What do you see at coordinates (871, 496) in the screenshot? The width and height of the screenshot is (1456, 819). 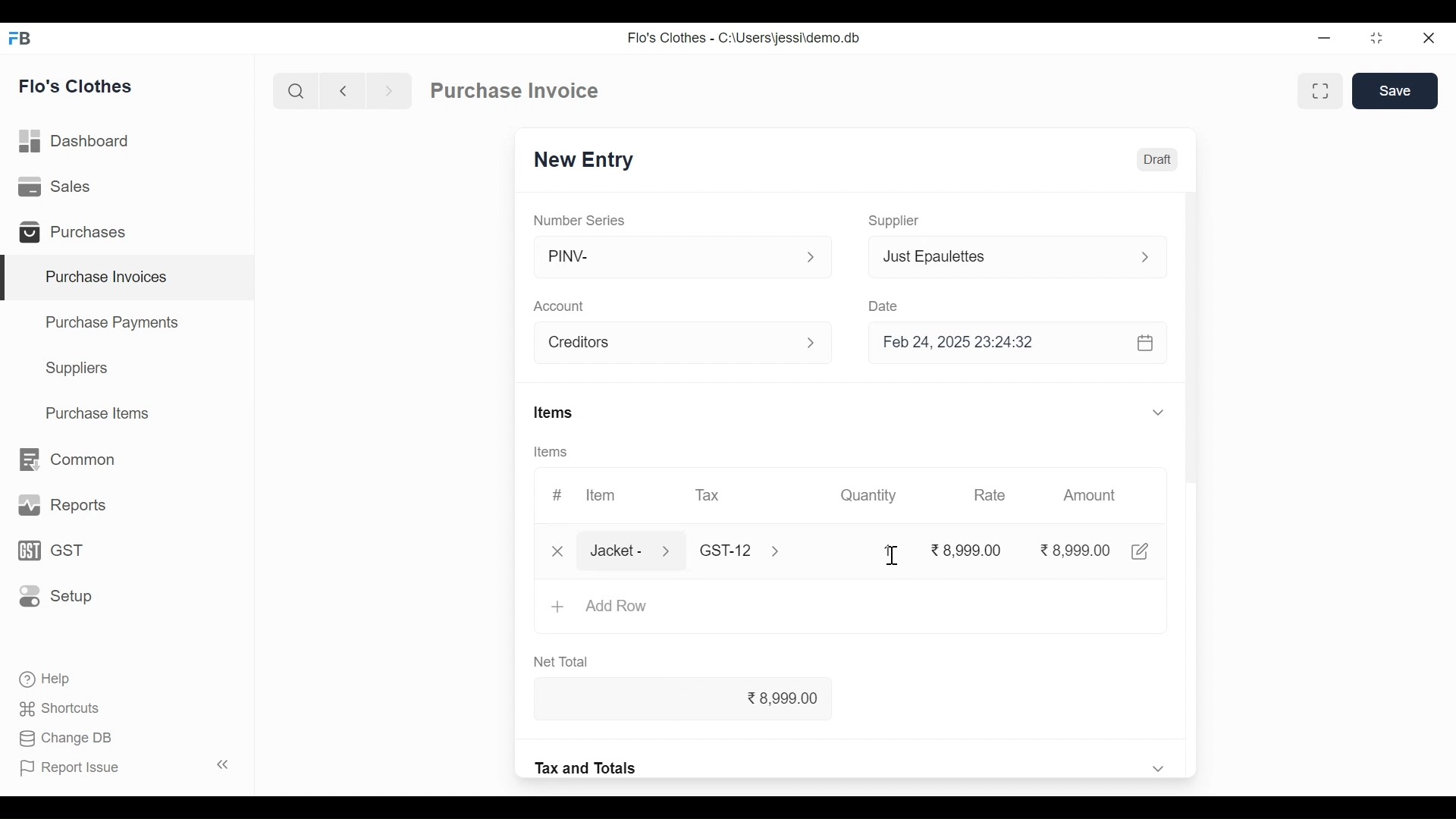 I see `Quantity` at bounding box center [871, 496].